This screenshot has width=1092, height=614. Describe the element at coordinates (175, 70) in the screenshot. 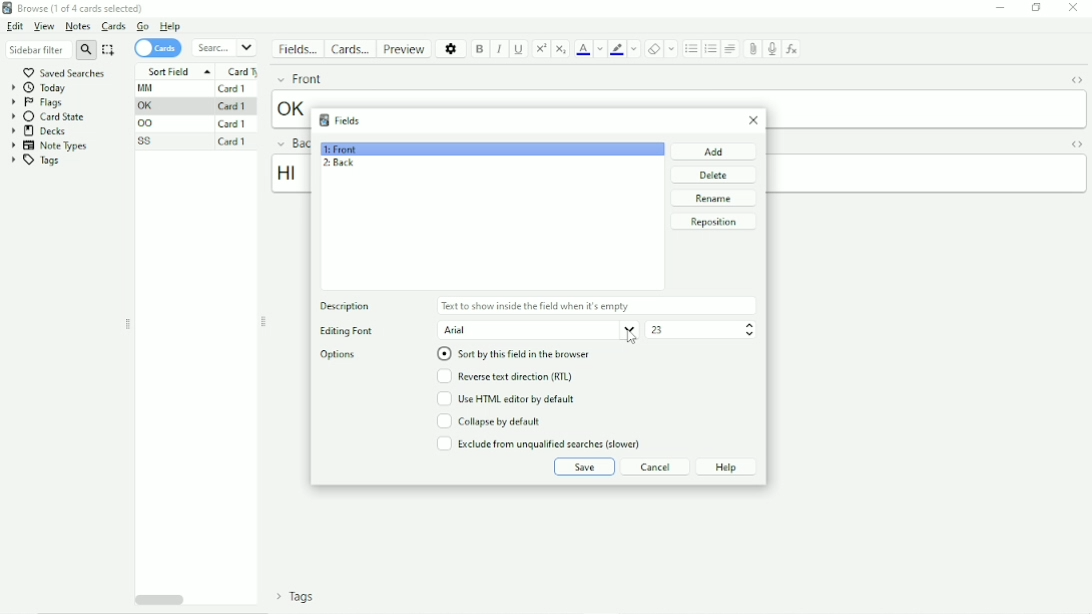

I see `Sort Field` at that location.